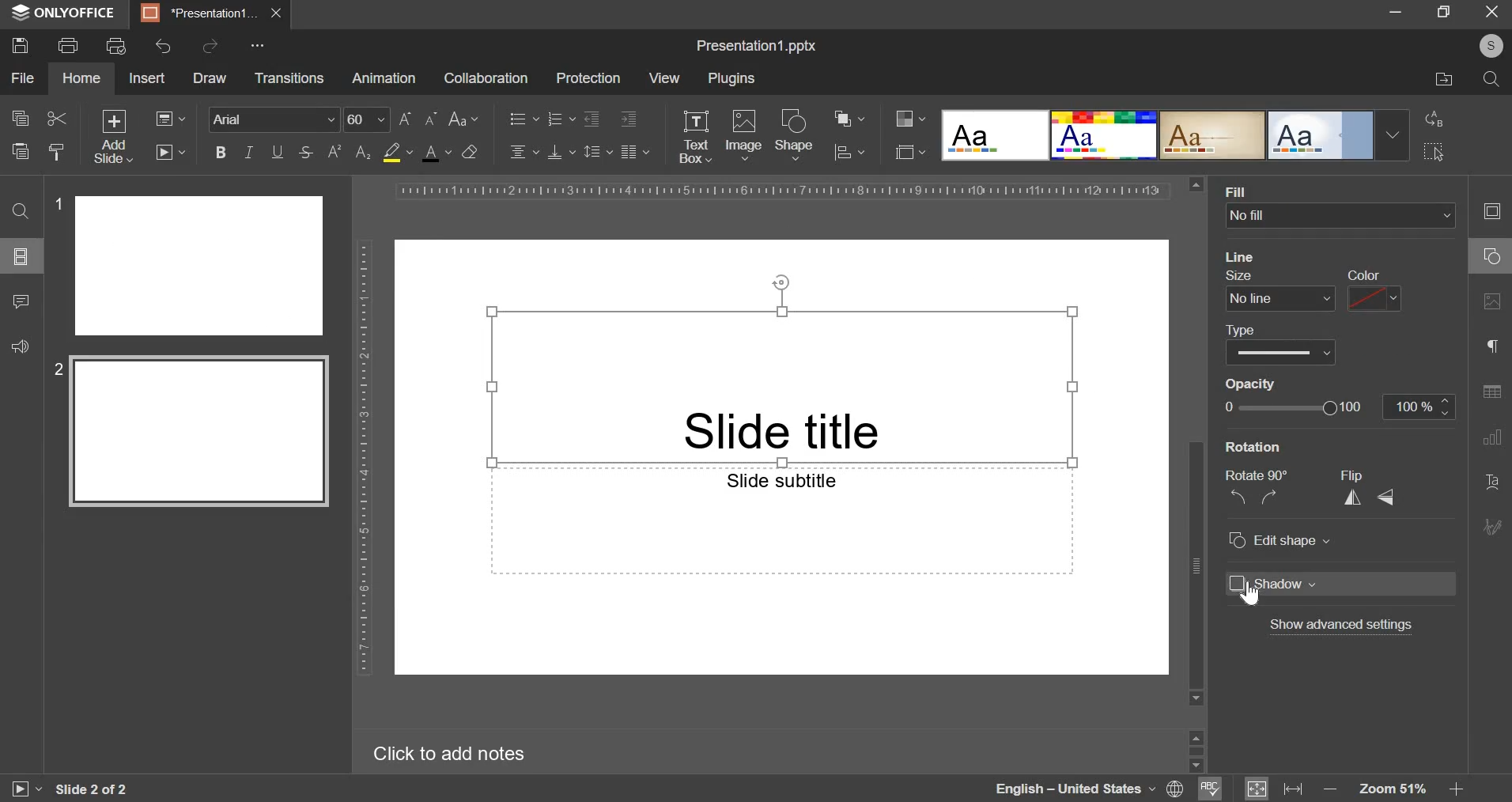 Image resolution: width=1512 pixels, height=802 pixels. I want to click on presentation1.pptx, so click(758, 43).